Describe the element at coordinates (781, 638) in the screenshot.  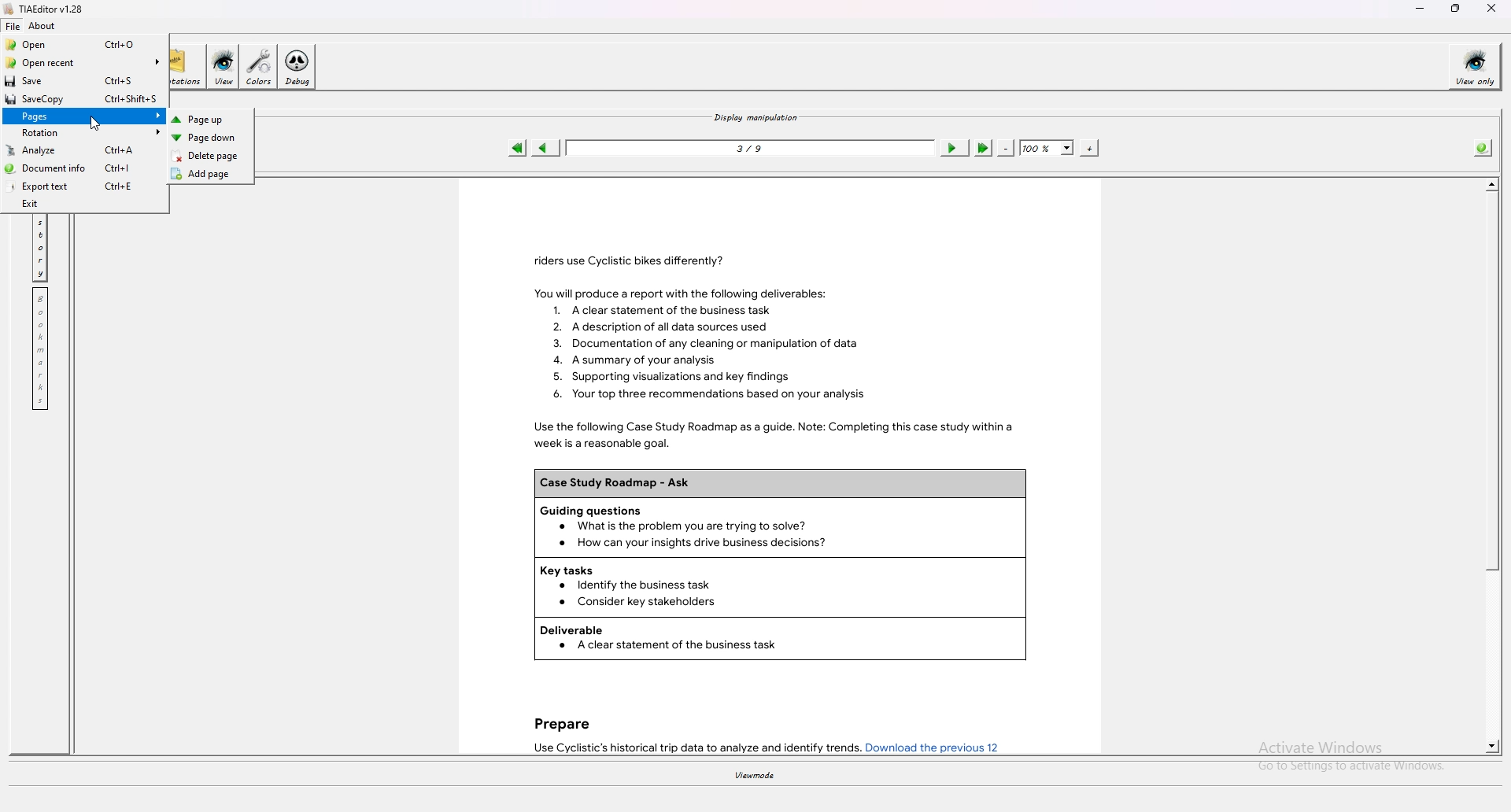
I see `Deliverable  A clear statement of the business task` at that location.